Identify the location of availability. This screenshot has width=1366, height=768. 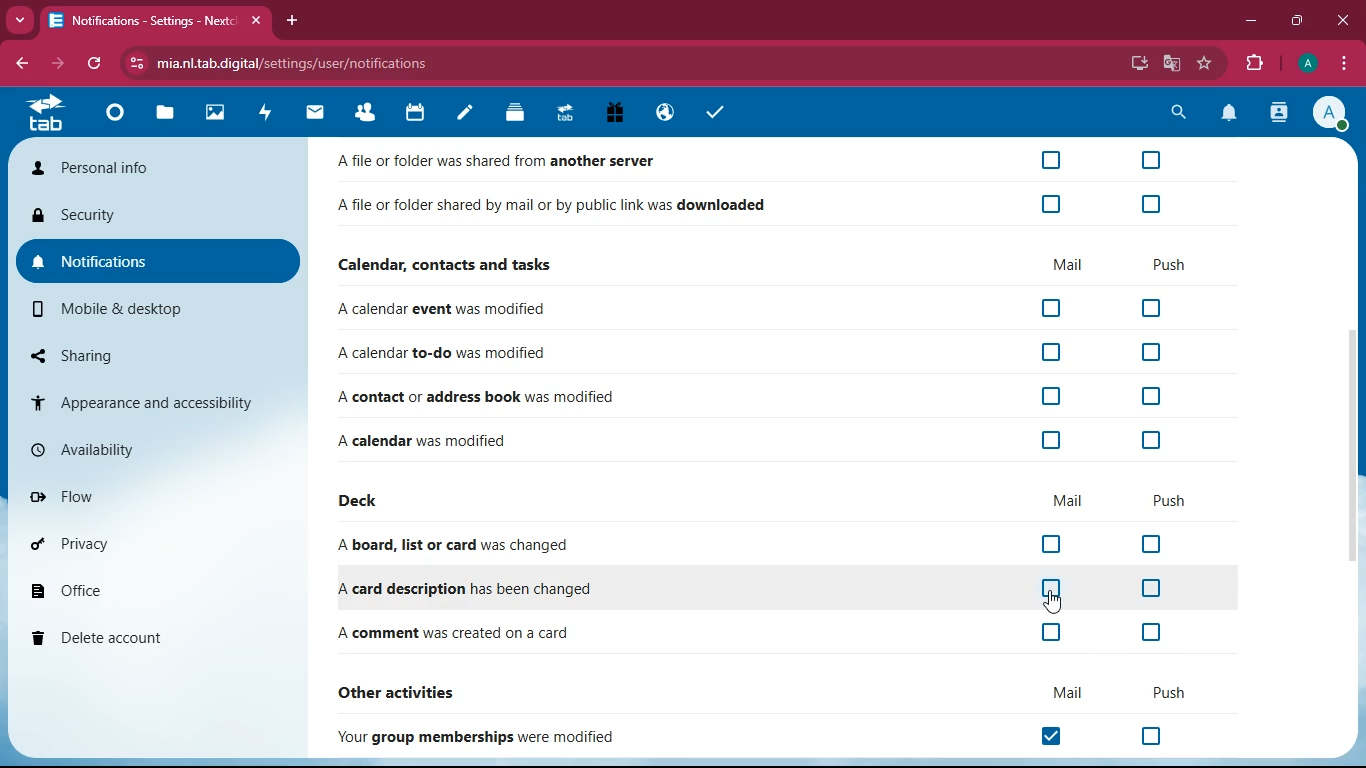
(155, 449).